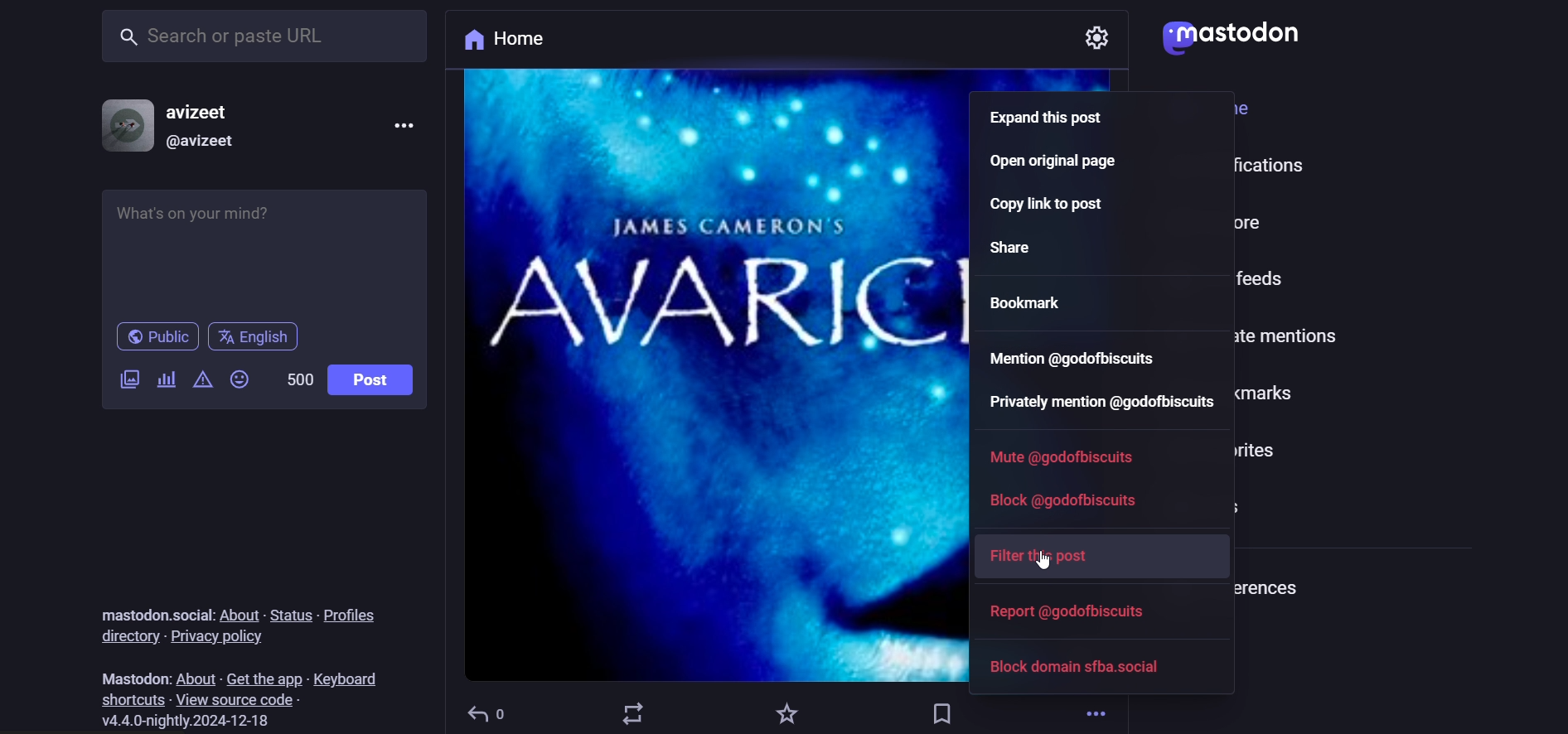 The height and width of the screenshot is (734, 1568). I want to click on mention, so click(1067, 355).